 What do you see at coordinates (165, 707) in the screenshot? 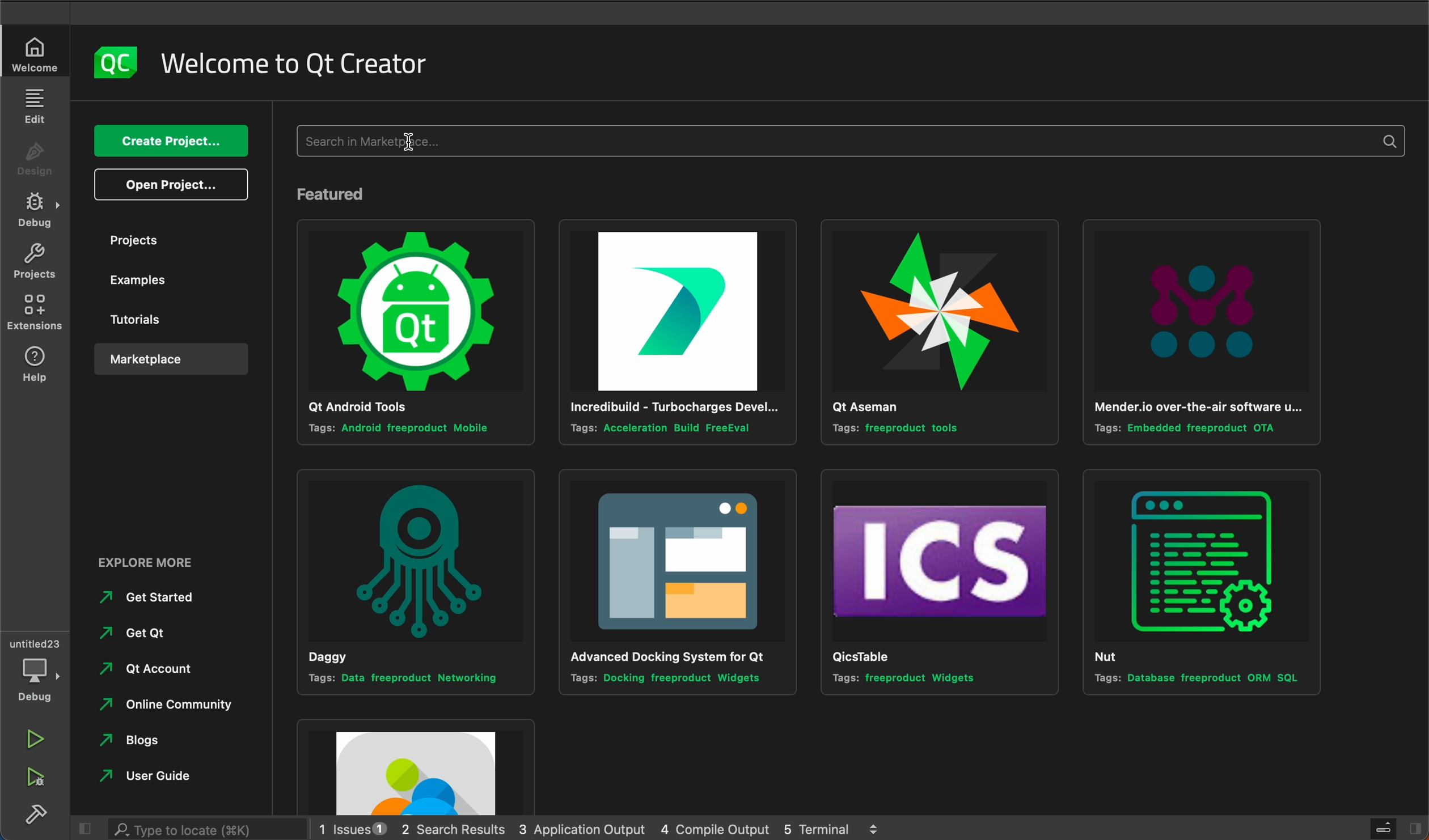
I see `` at bounding box center [165, 707].